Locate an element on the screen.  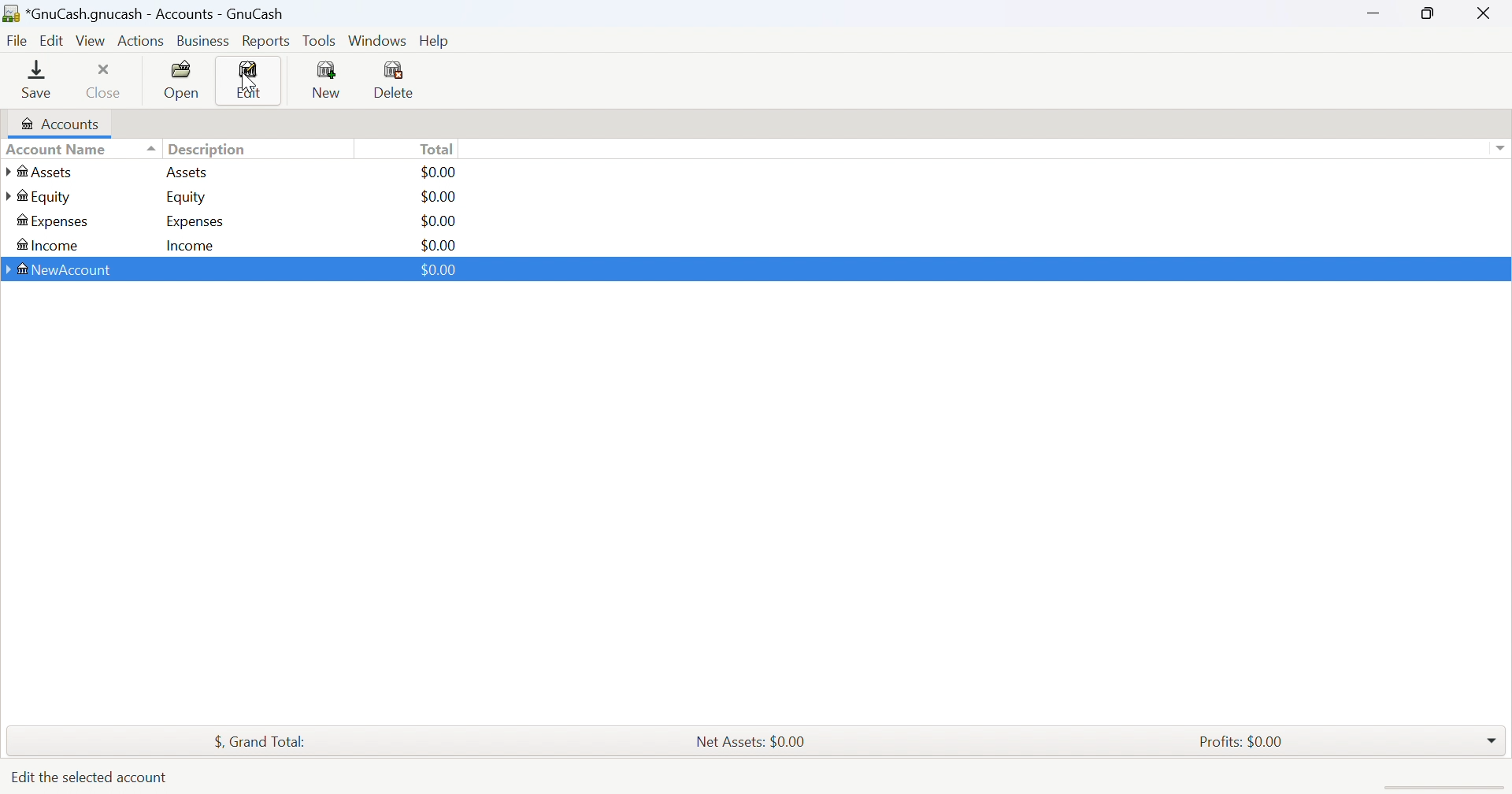
$0.00 is located at coordinates (437, 197).